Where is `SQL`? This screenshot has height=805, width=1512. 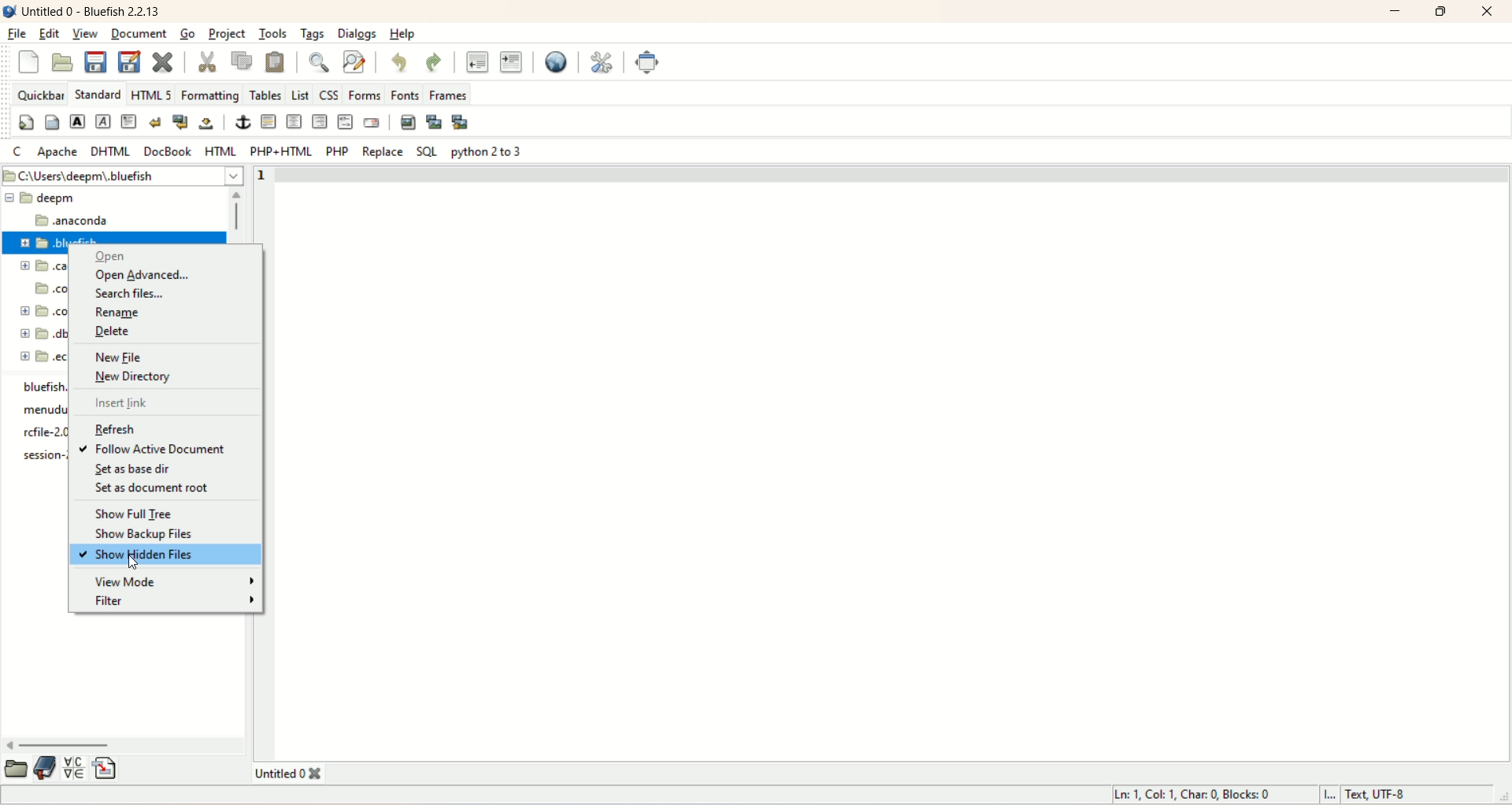
SQL is located at coordinates (427, 151).